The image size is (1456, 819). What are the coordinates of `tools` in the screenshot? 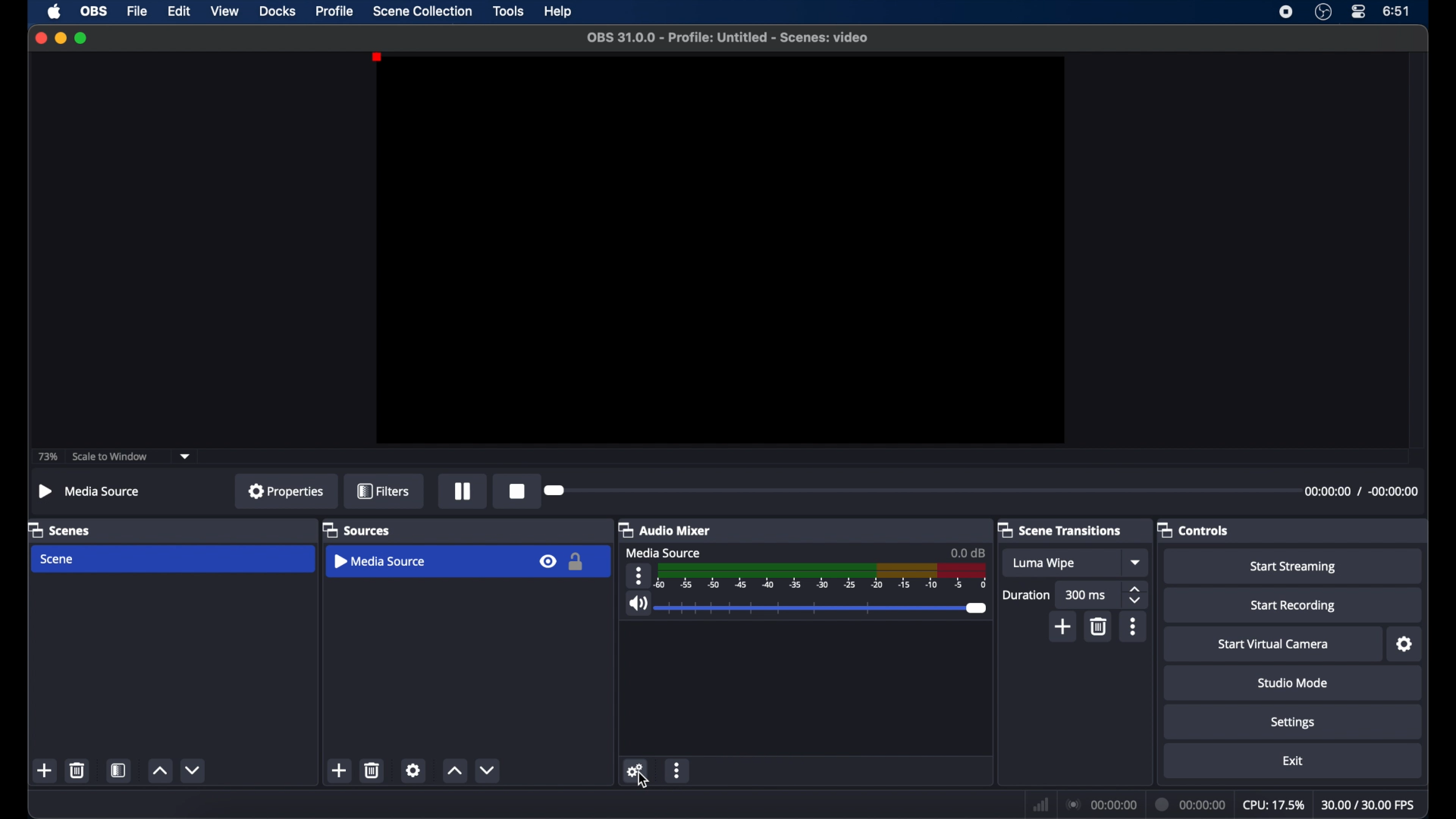 It's located at (509, 11).